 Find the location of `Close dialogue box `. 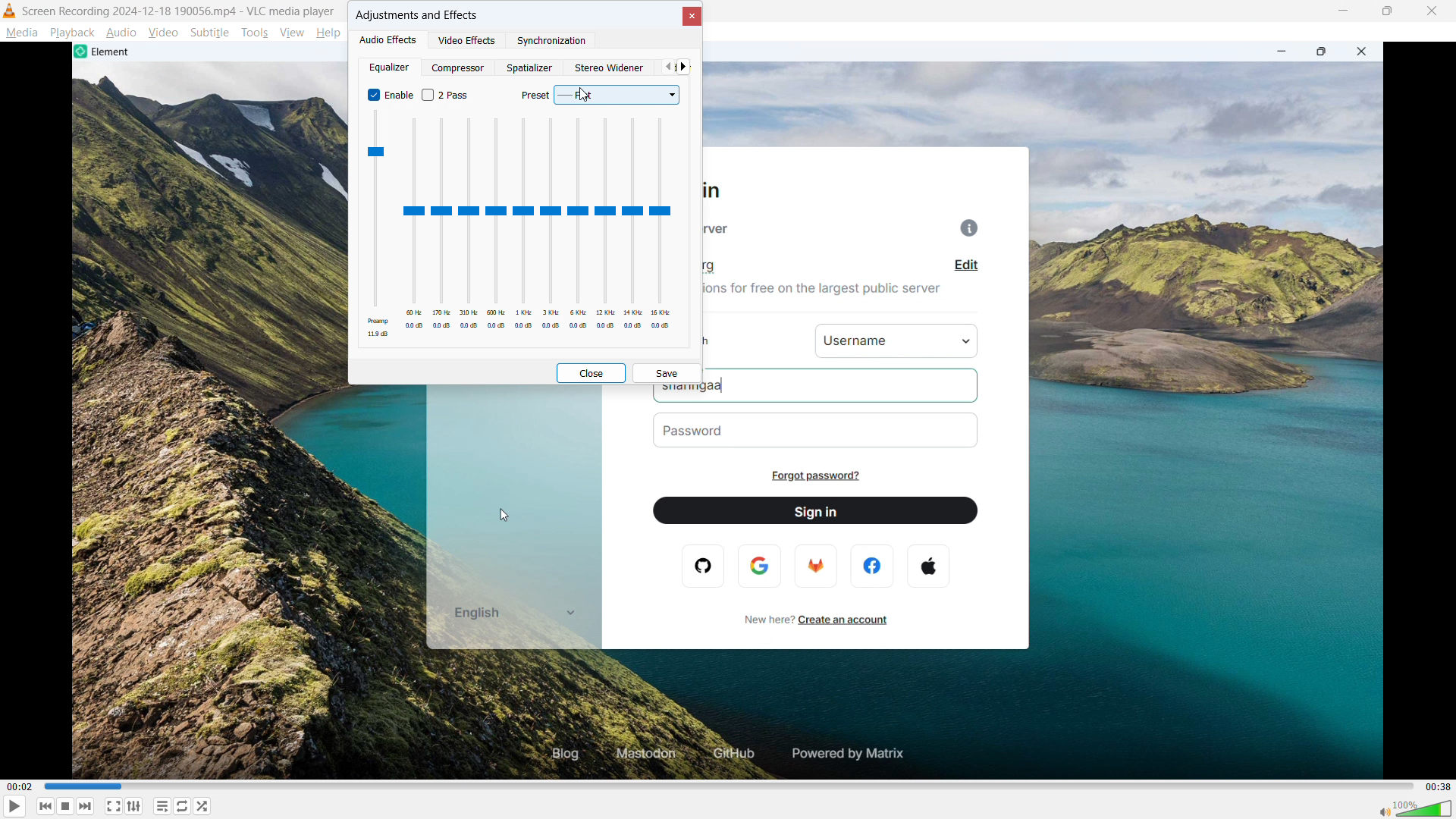

Close dialogue box  is located at coordinates (690, 16).